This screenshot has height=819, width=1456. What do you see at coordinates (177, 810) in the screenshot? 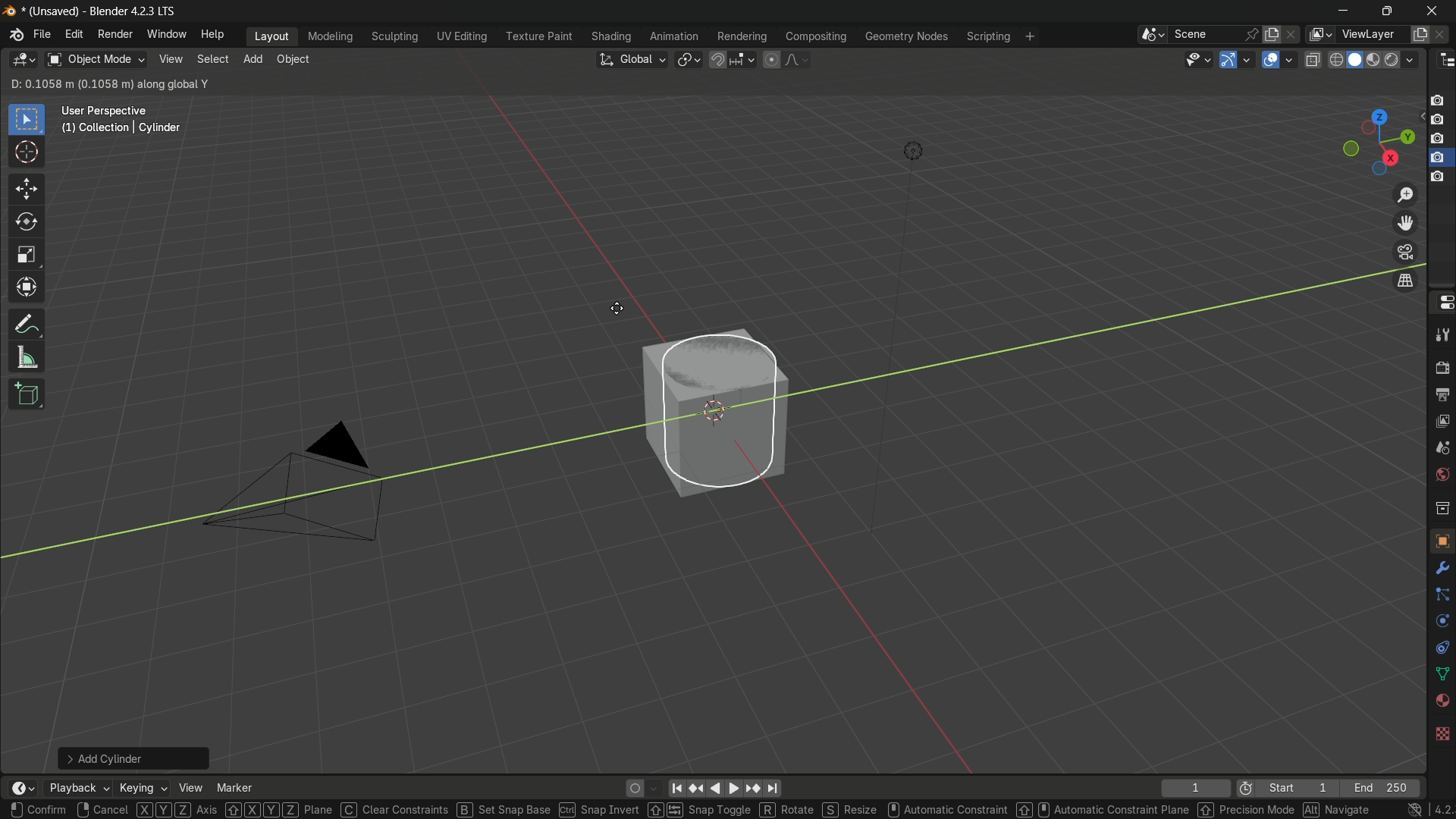
I see `axis` at bounding box center [177, 810].